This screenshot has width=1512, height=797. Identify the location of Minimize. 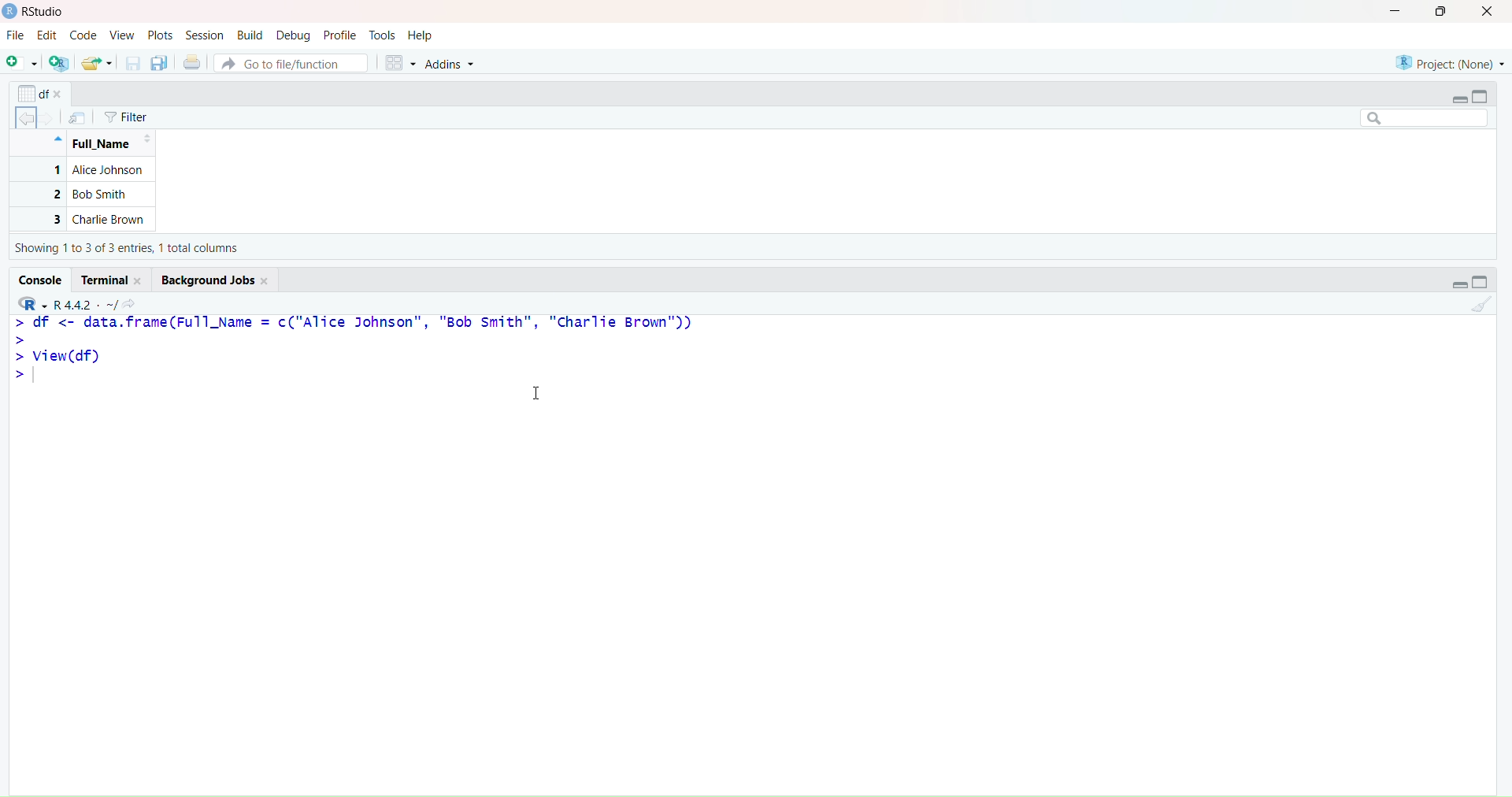
(1457, 283).